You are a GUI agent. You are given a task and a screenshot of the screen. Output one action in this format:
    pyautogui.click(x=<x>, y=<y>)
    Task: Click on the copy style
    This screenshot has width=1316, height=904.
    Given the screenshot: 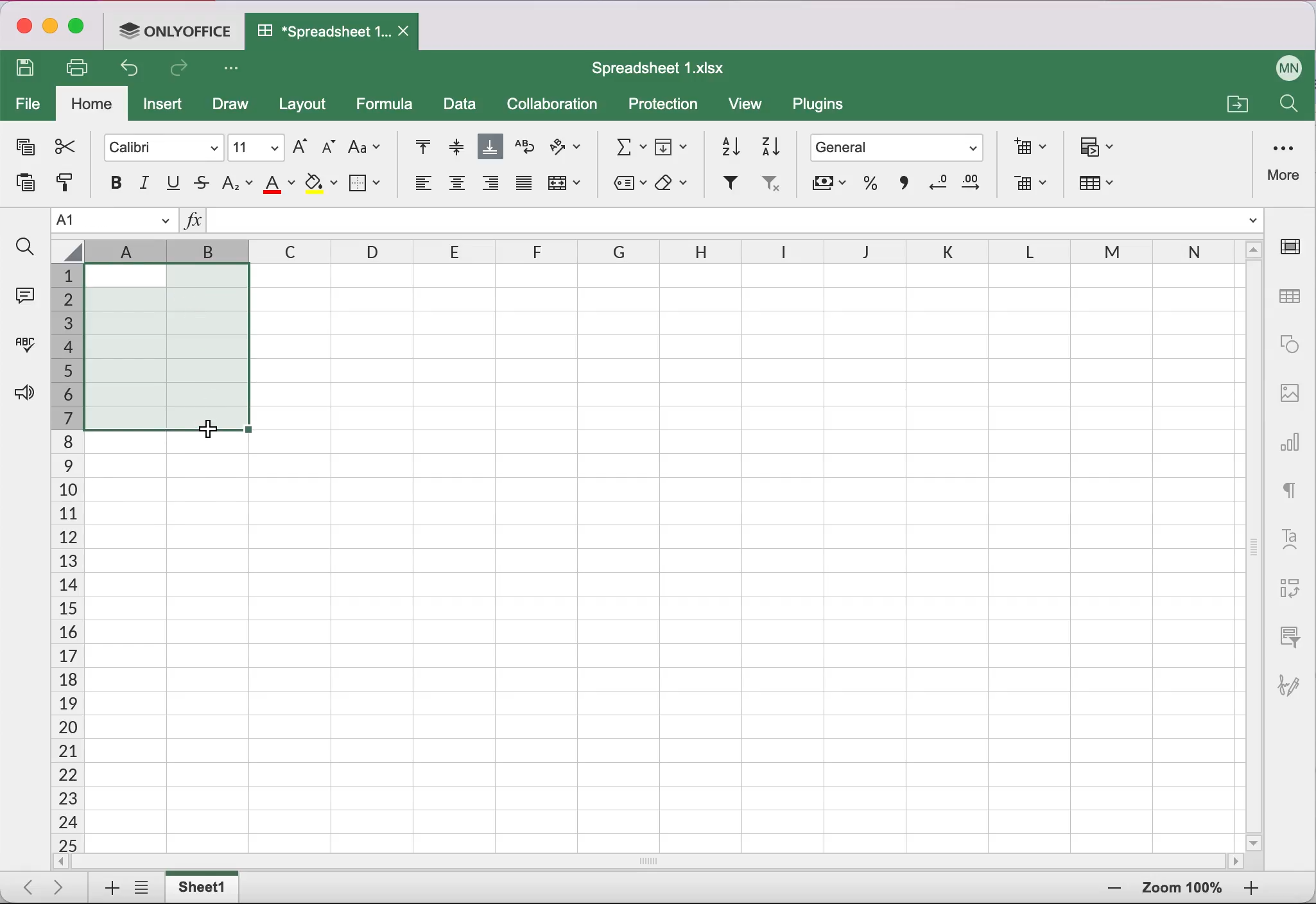 What is the action you would take?
    pyautogui.click(x=64, y=187)
    